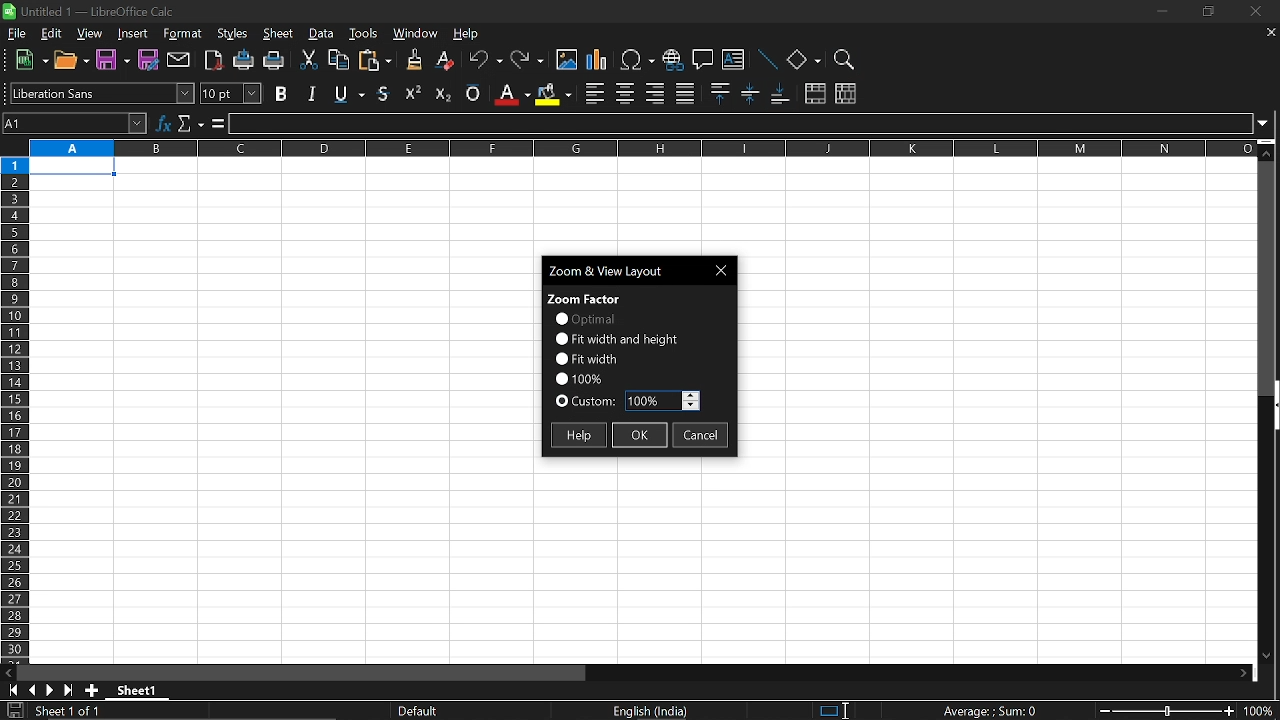 This screenshot has height=720, width=1280. Describe the element at coordinates (1166, 712) in the screenshot. I see `change zoom` at that location.